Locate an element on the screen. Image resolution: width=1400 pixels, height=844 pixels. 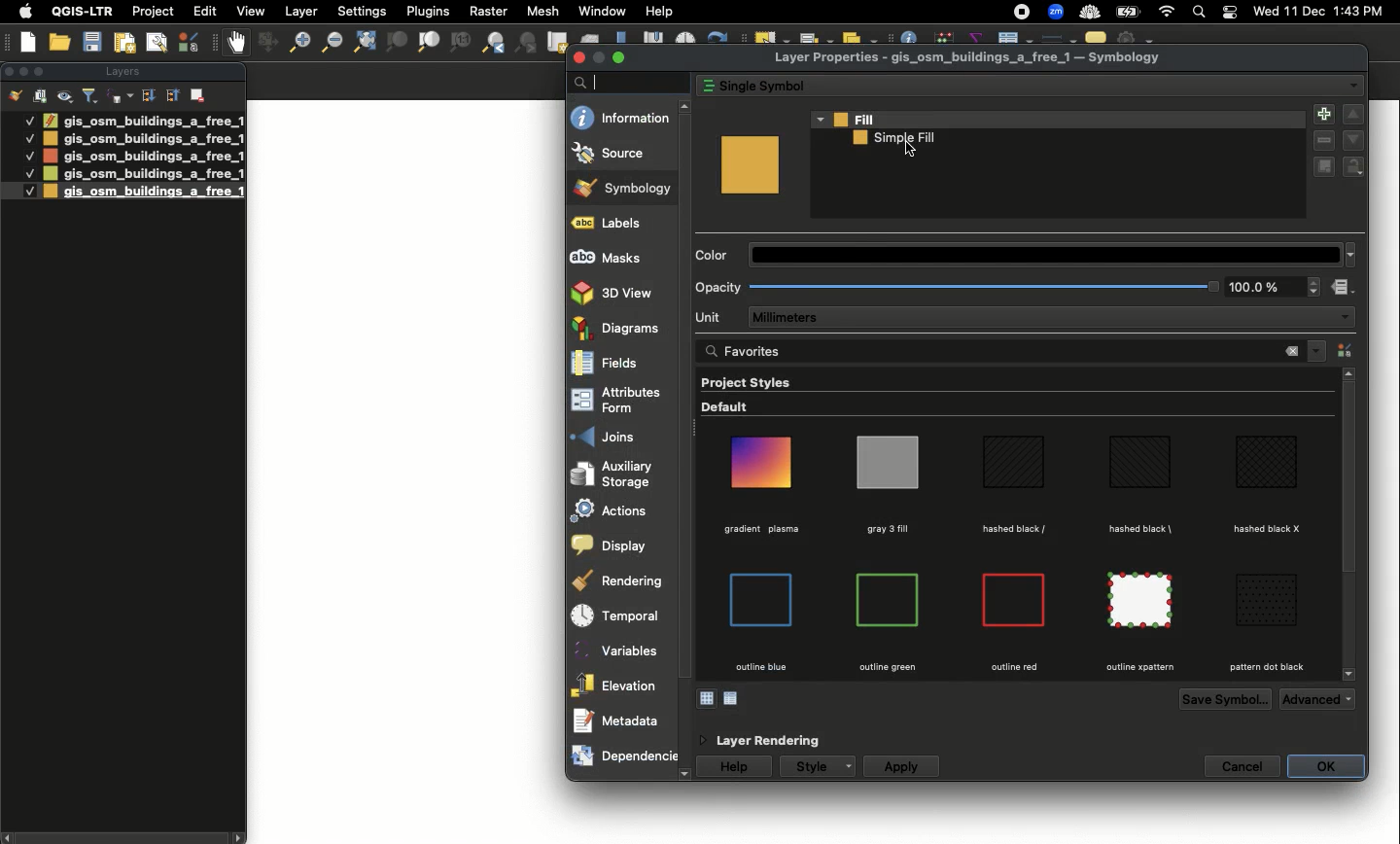
Minimize is located at coordinates (22, 70).